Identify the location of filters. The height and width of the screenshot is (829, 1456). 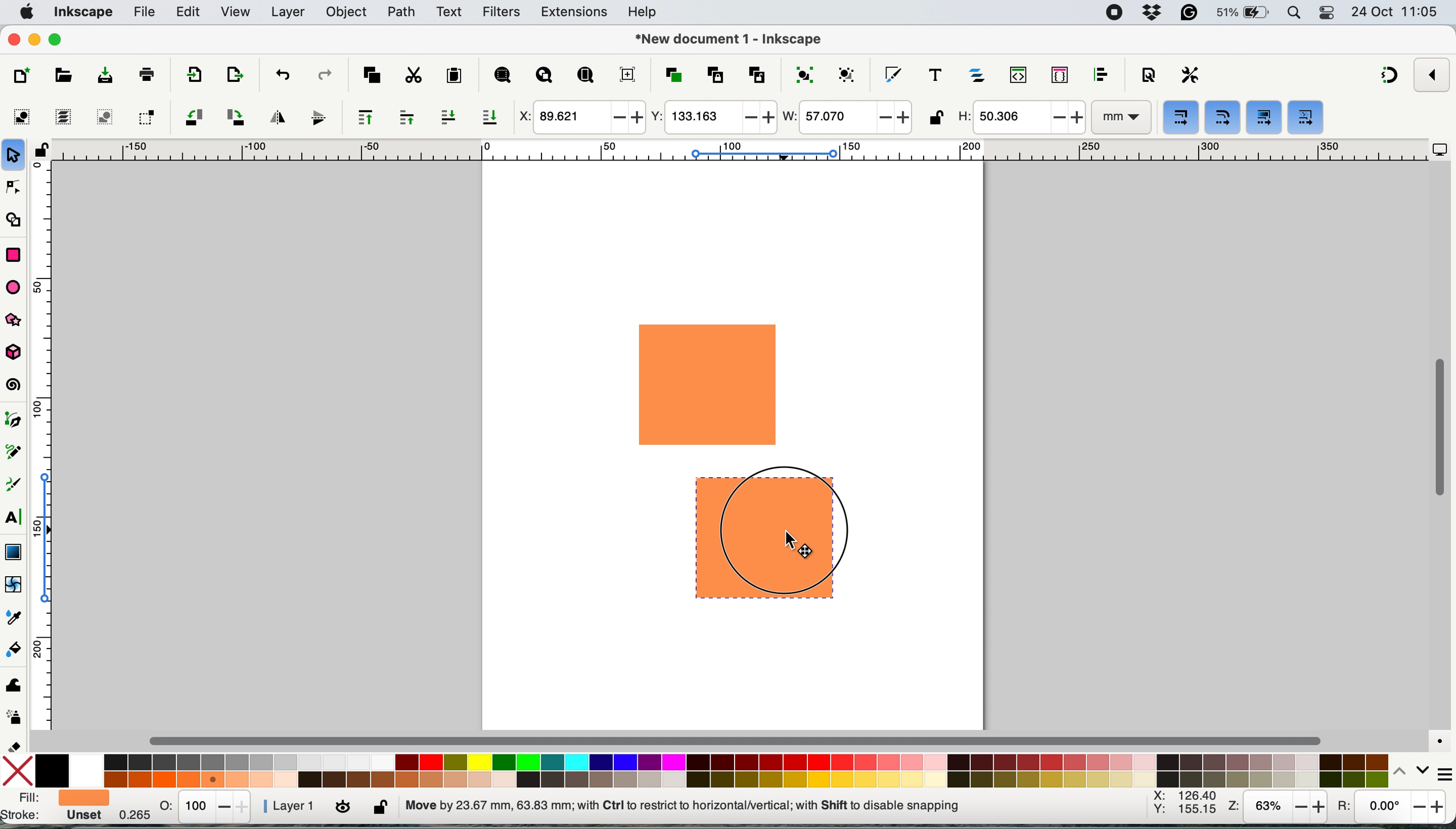
(502, 13).